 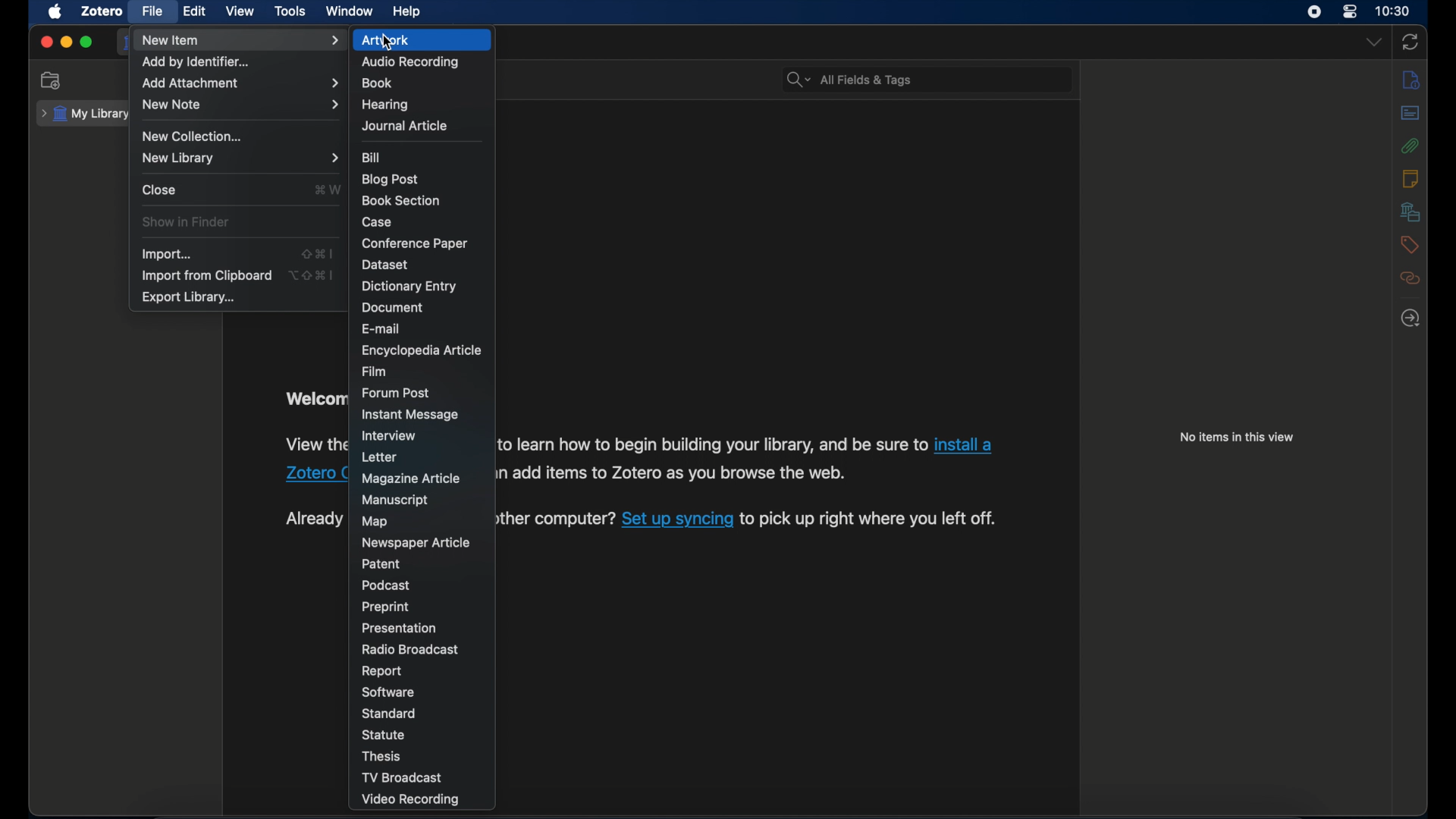 What do you see at coordinates (965, 442) in the screenshot?
I see `install a` at bounding box center [965, 442].